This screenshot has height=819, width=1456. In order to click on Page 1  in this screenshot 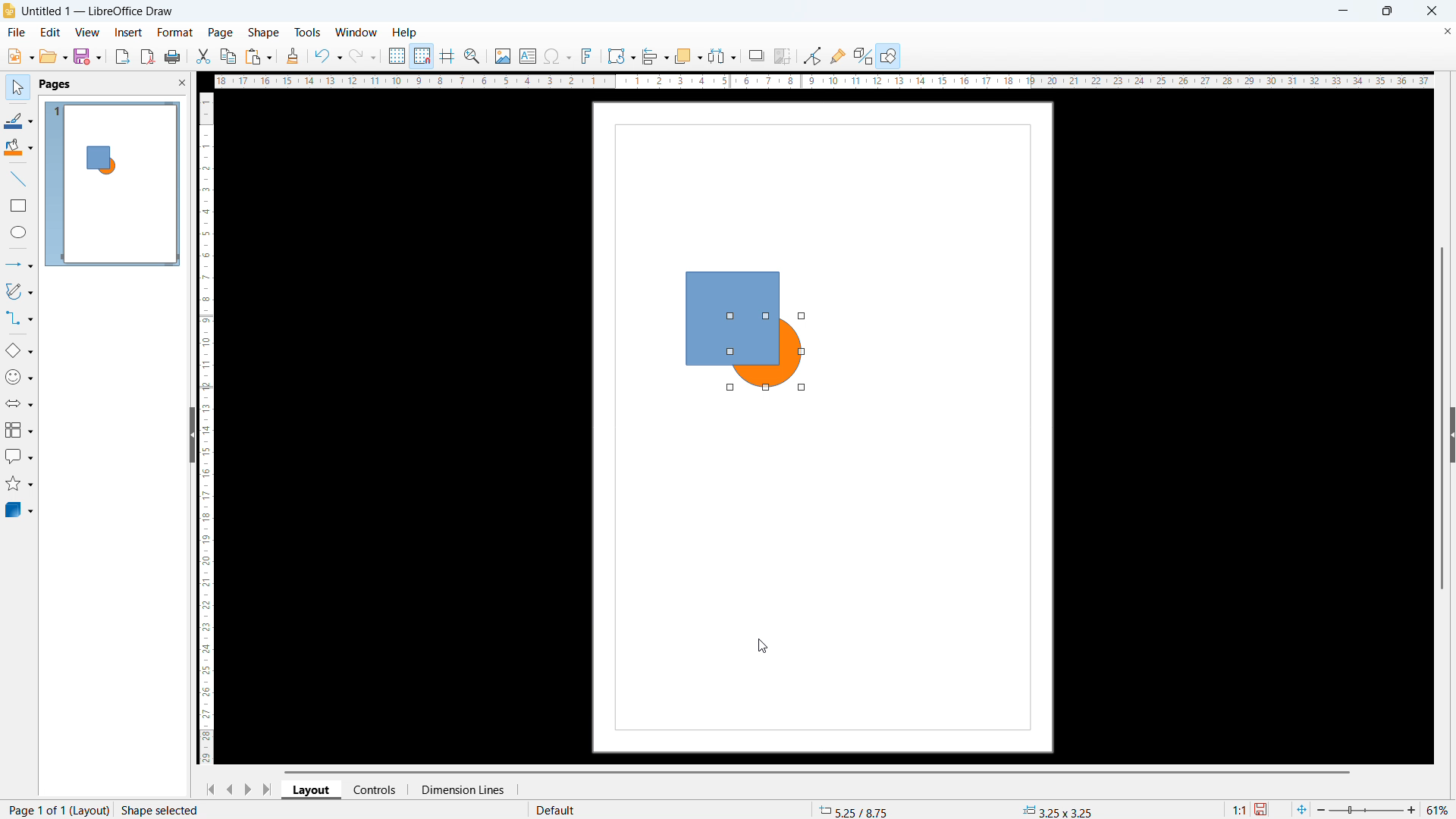, I will do `click(115, 186)`.